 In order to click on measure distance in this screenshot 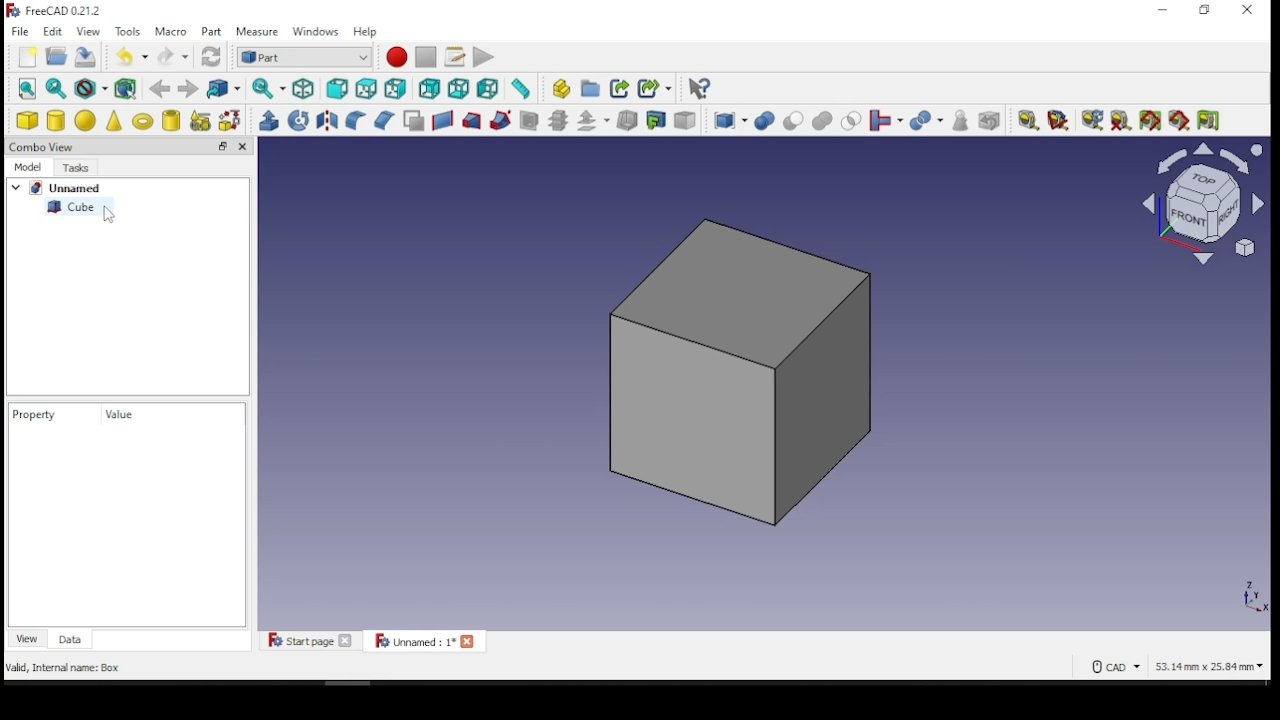, I will do `click(520, 89)`.